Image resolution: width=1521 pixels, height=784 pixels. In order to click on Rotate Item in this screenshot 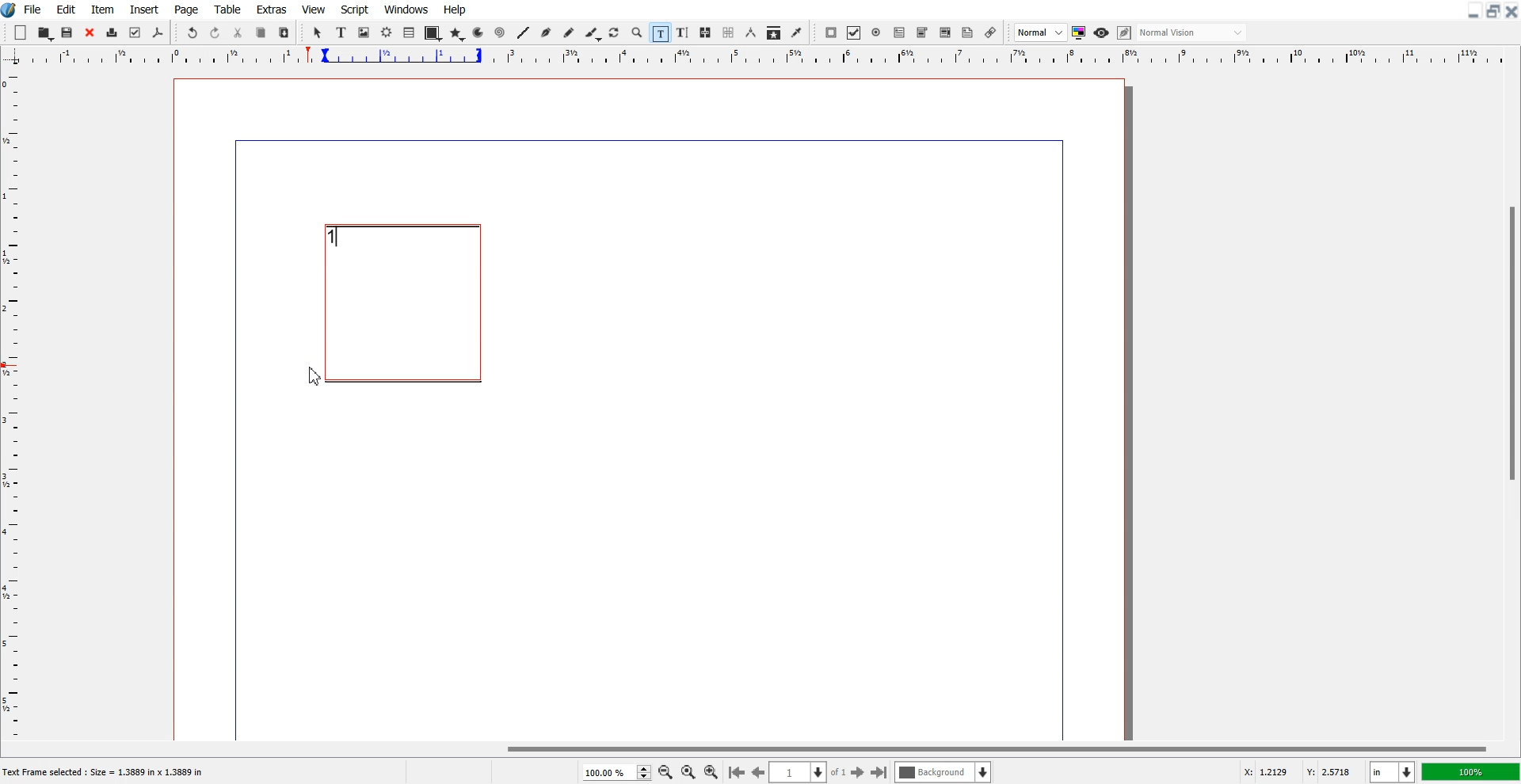, I will do `click(616, 33)`.